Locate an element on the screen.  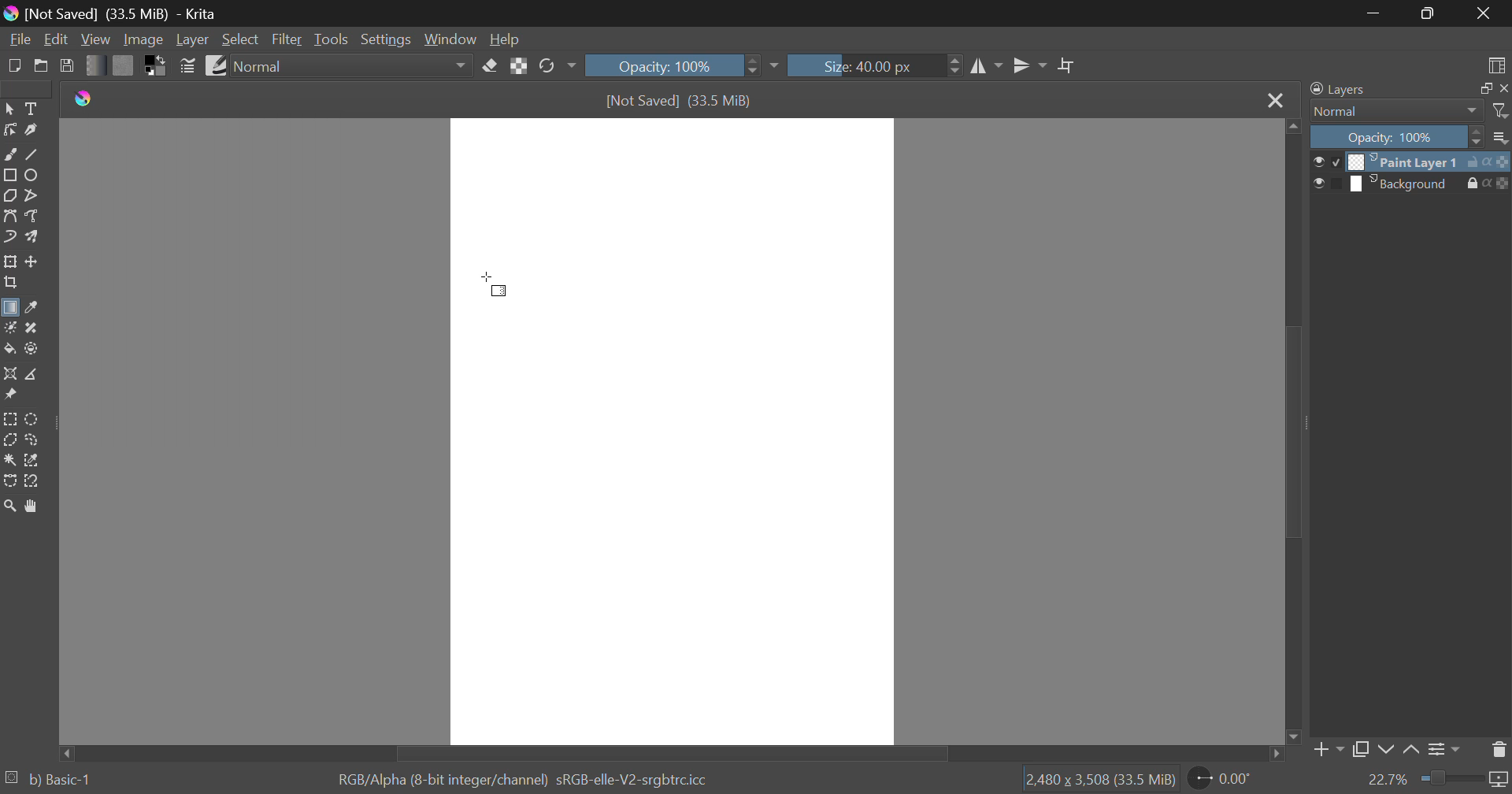
Normal is located at coordinates (1388, 111).